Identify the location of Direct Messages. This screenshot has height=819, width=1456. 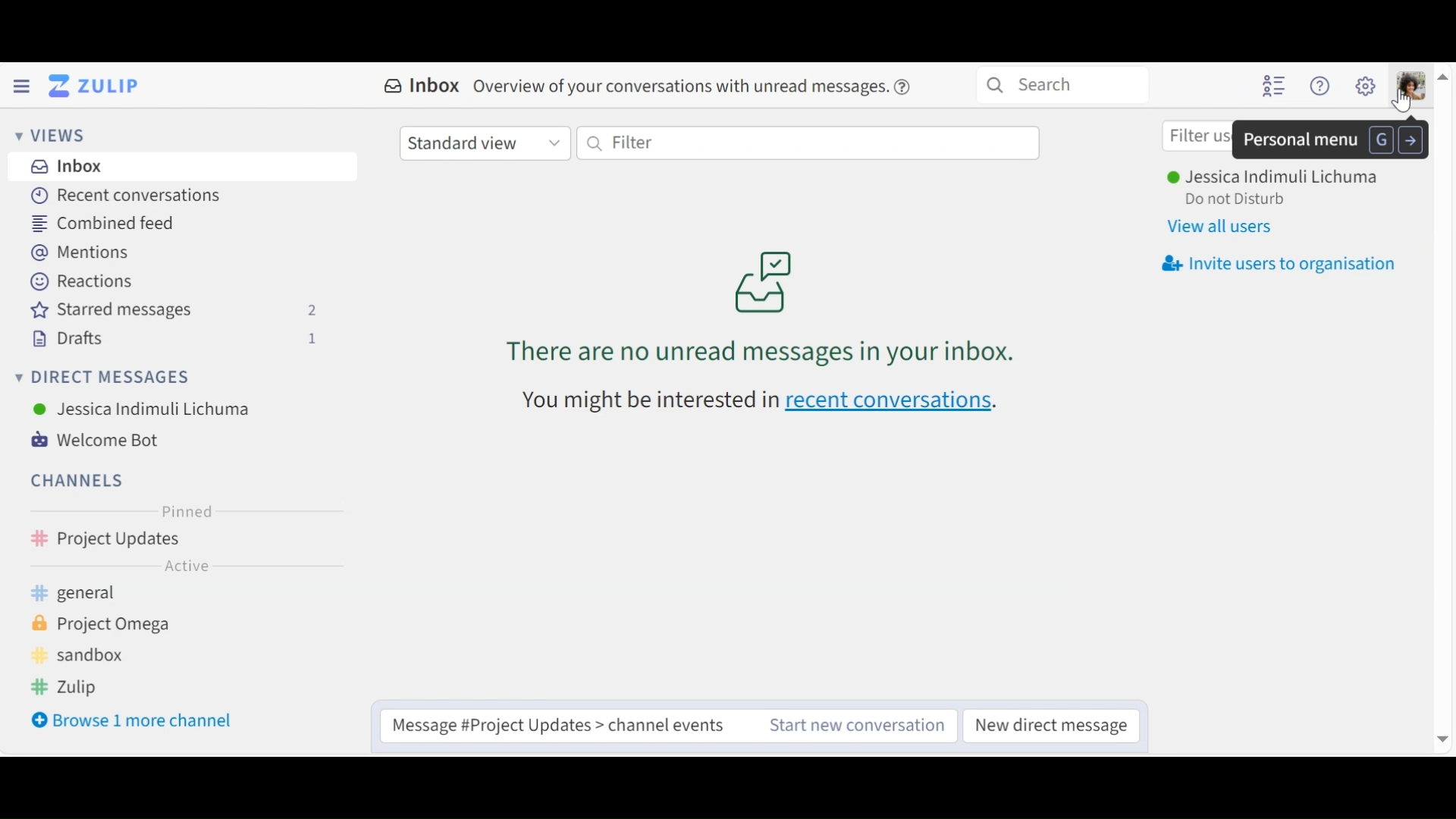
(108, 377).